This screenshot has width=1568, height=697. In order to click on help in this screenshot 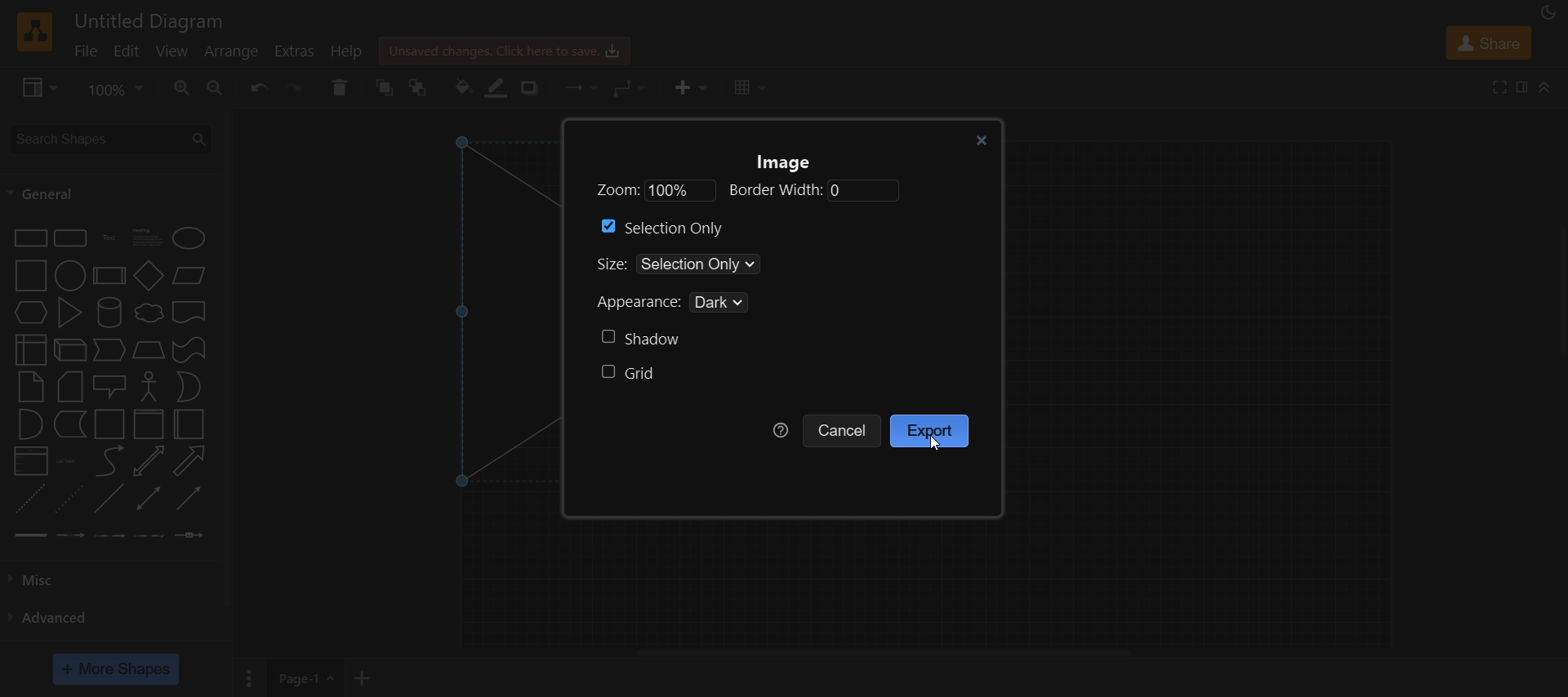, I will do `click(781, 430)`.